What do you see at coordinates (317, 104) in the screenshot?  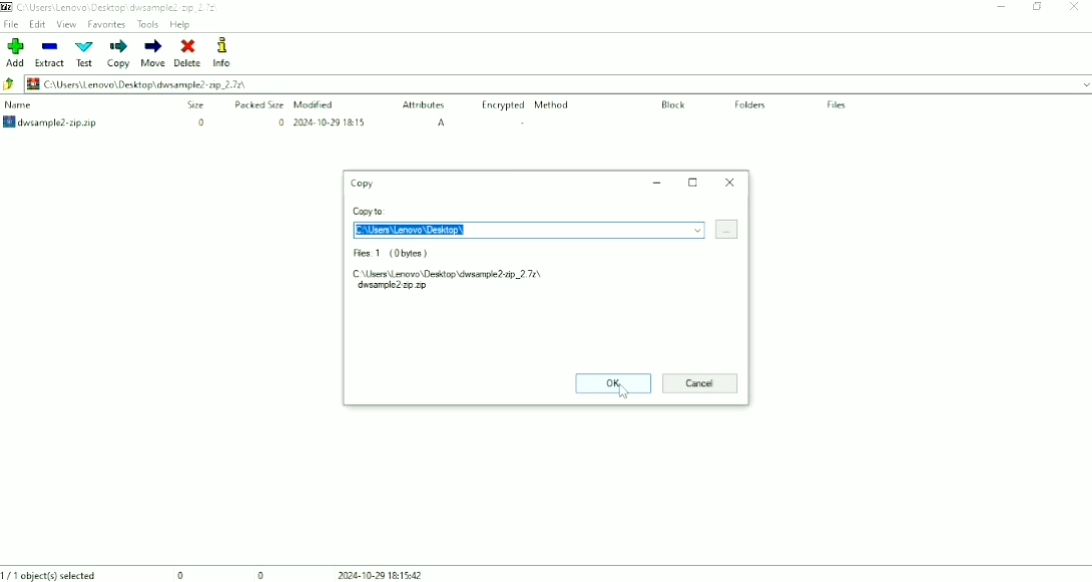 I see `Modified` at bounding box center [317, 104].